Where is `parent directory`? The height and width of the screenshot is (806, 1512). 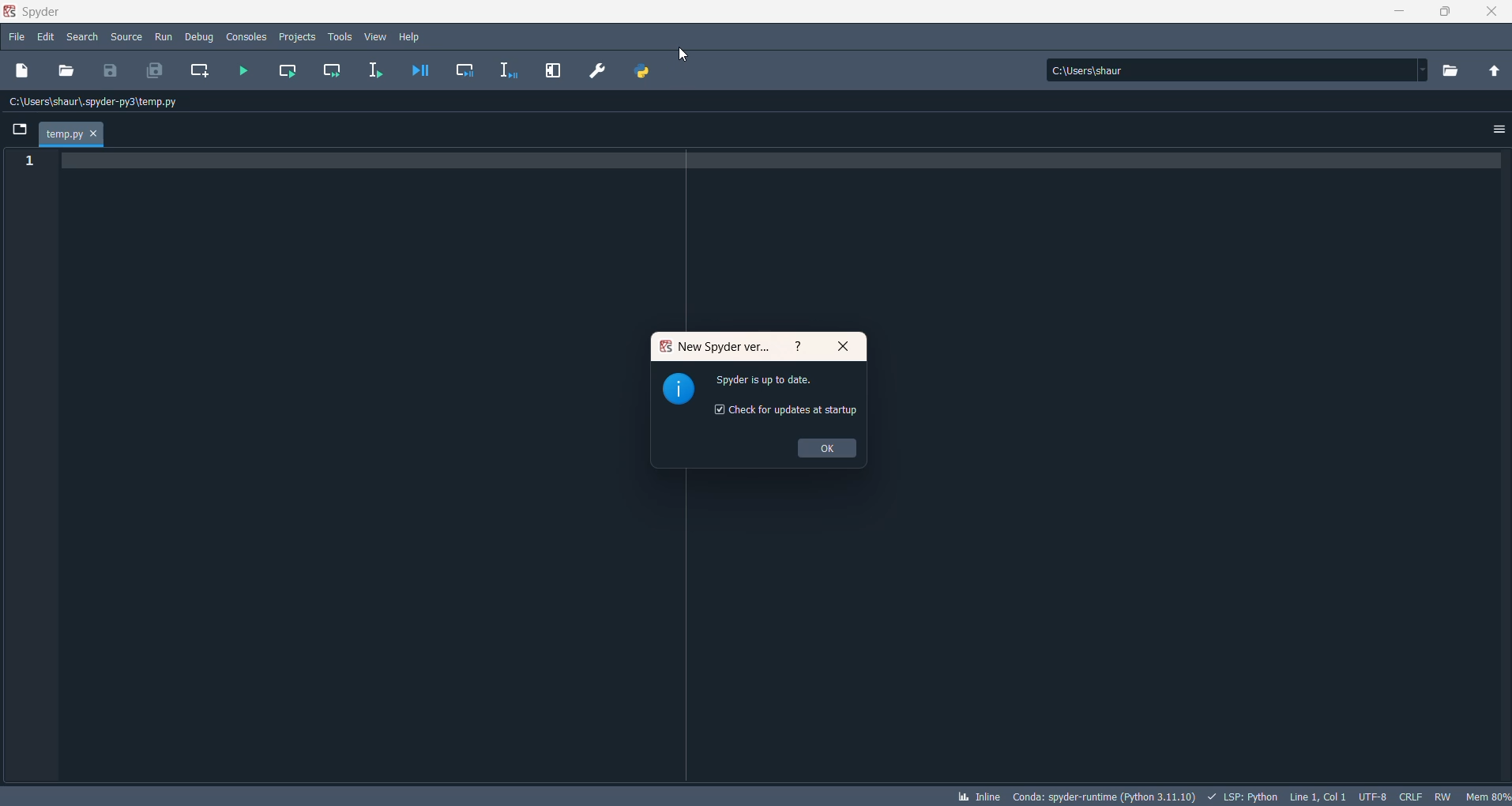
parent directory is located at coordinates (1494, 70).